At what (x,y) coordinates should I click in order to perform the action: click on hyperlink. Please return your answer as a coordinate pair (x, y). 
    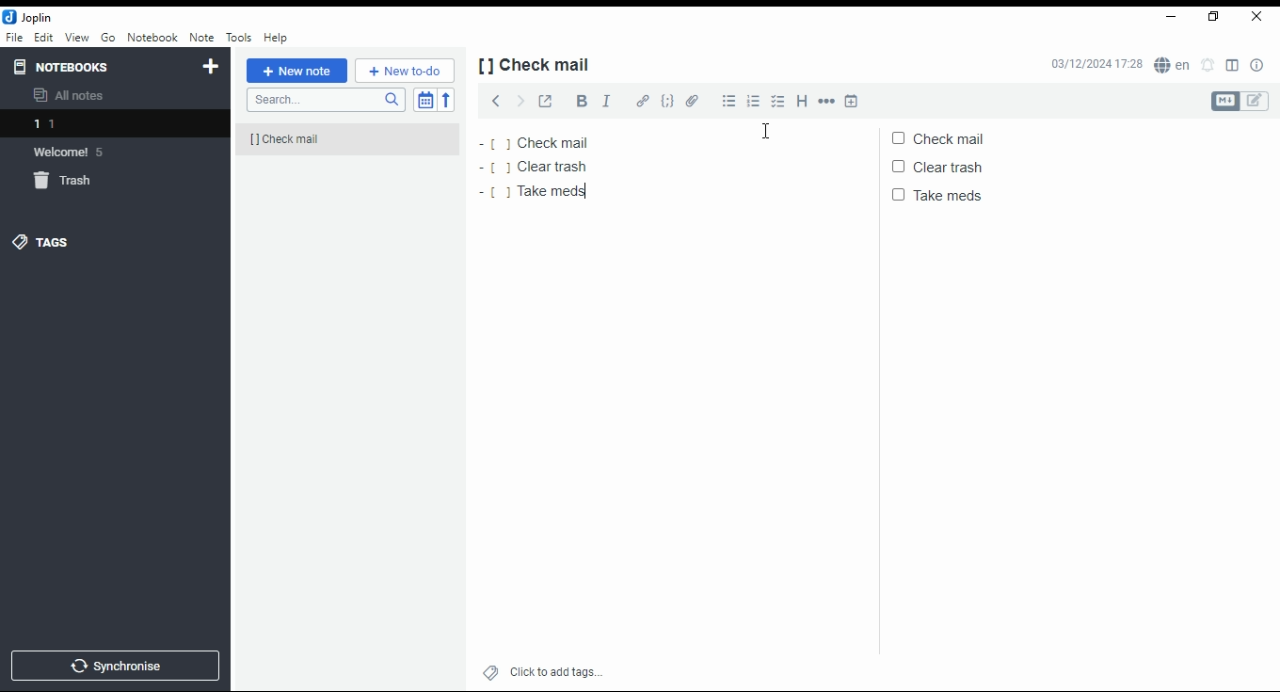
    Looking at the image, I should click on (642, 101).